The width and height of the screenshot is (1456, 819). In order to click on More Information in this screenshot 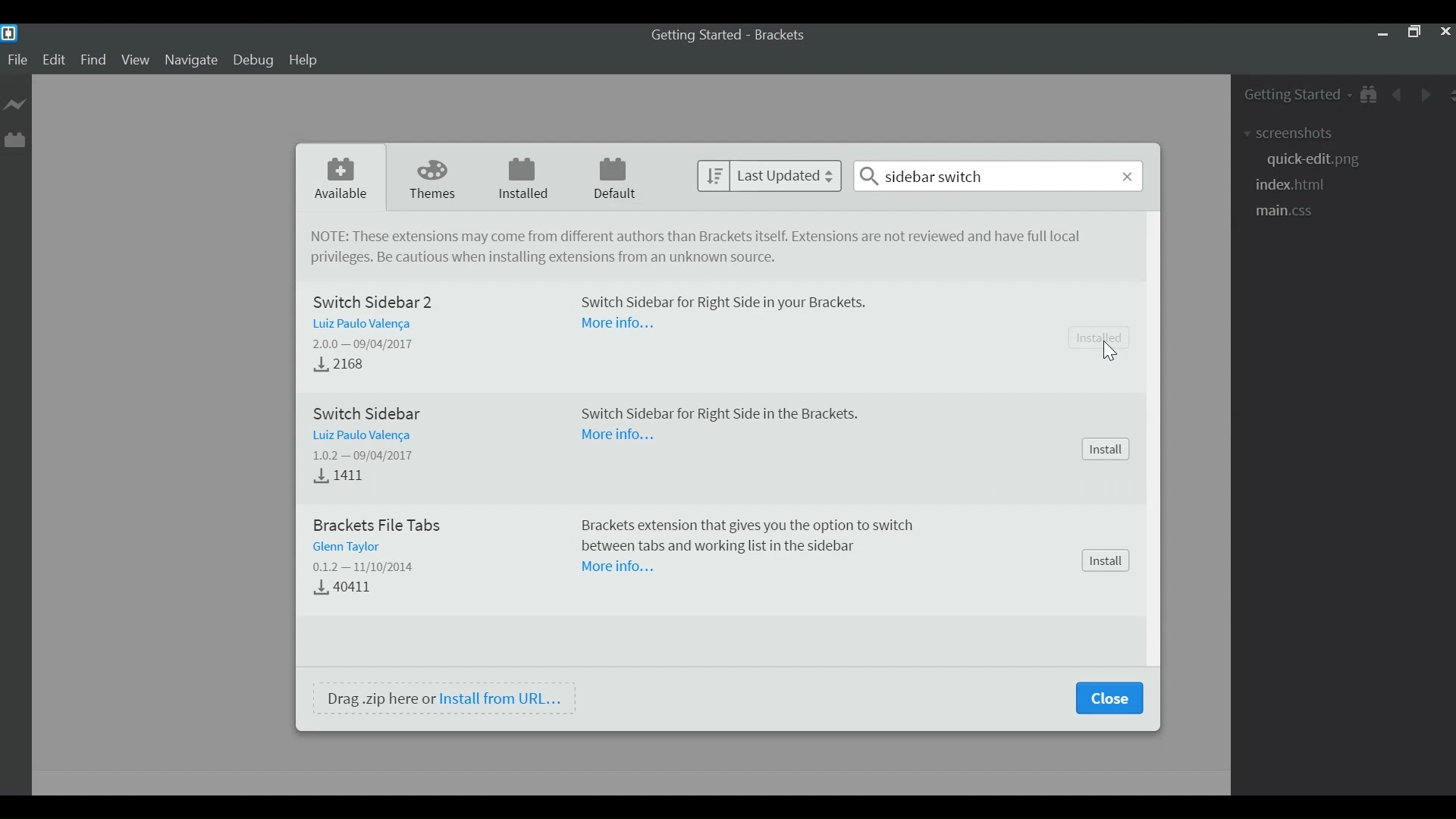, I will do `click(620, 435)`.